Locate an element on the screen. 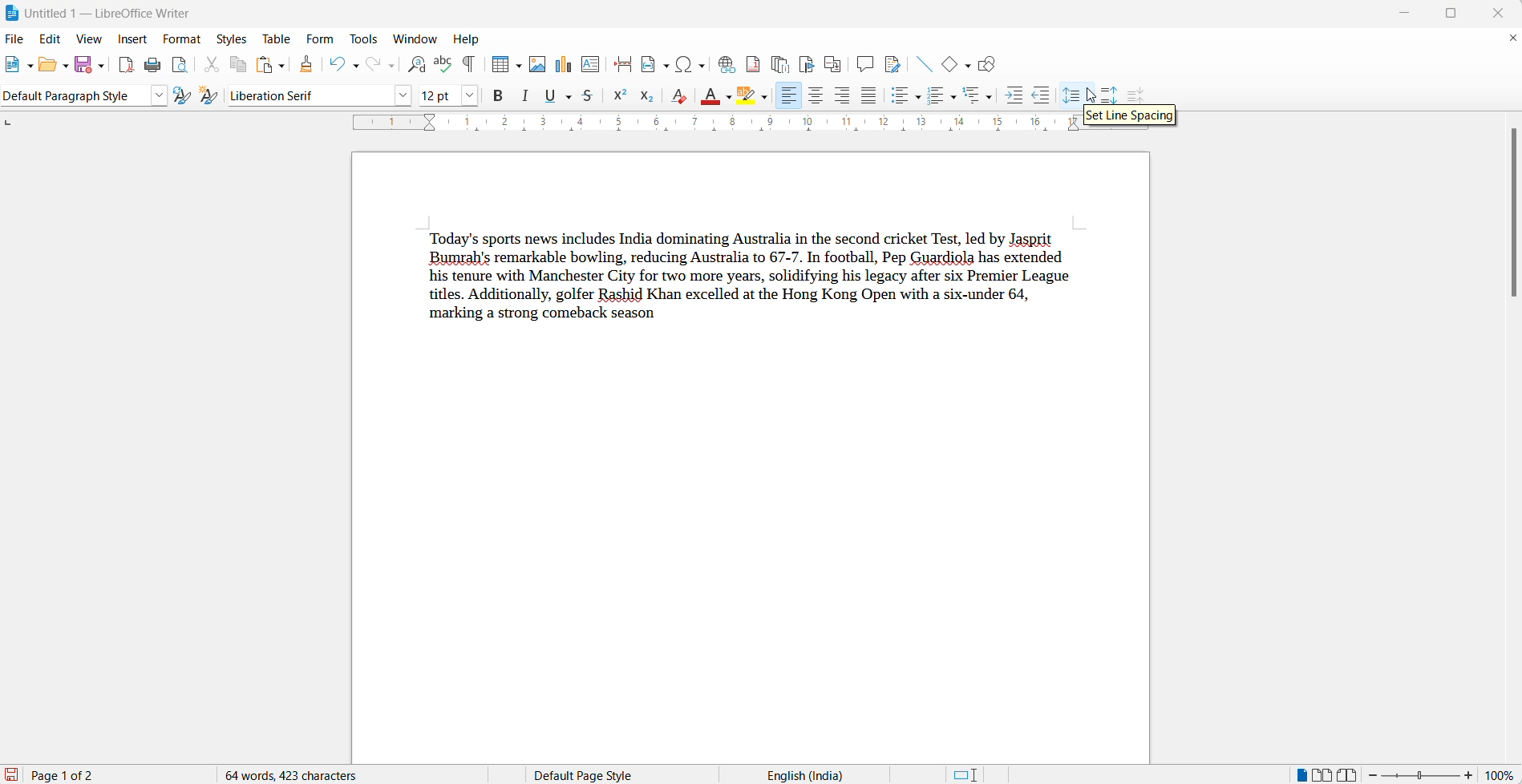  tex align center is located at coordinates (815, 97).